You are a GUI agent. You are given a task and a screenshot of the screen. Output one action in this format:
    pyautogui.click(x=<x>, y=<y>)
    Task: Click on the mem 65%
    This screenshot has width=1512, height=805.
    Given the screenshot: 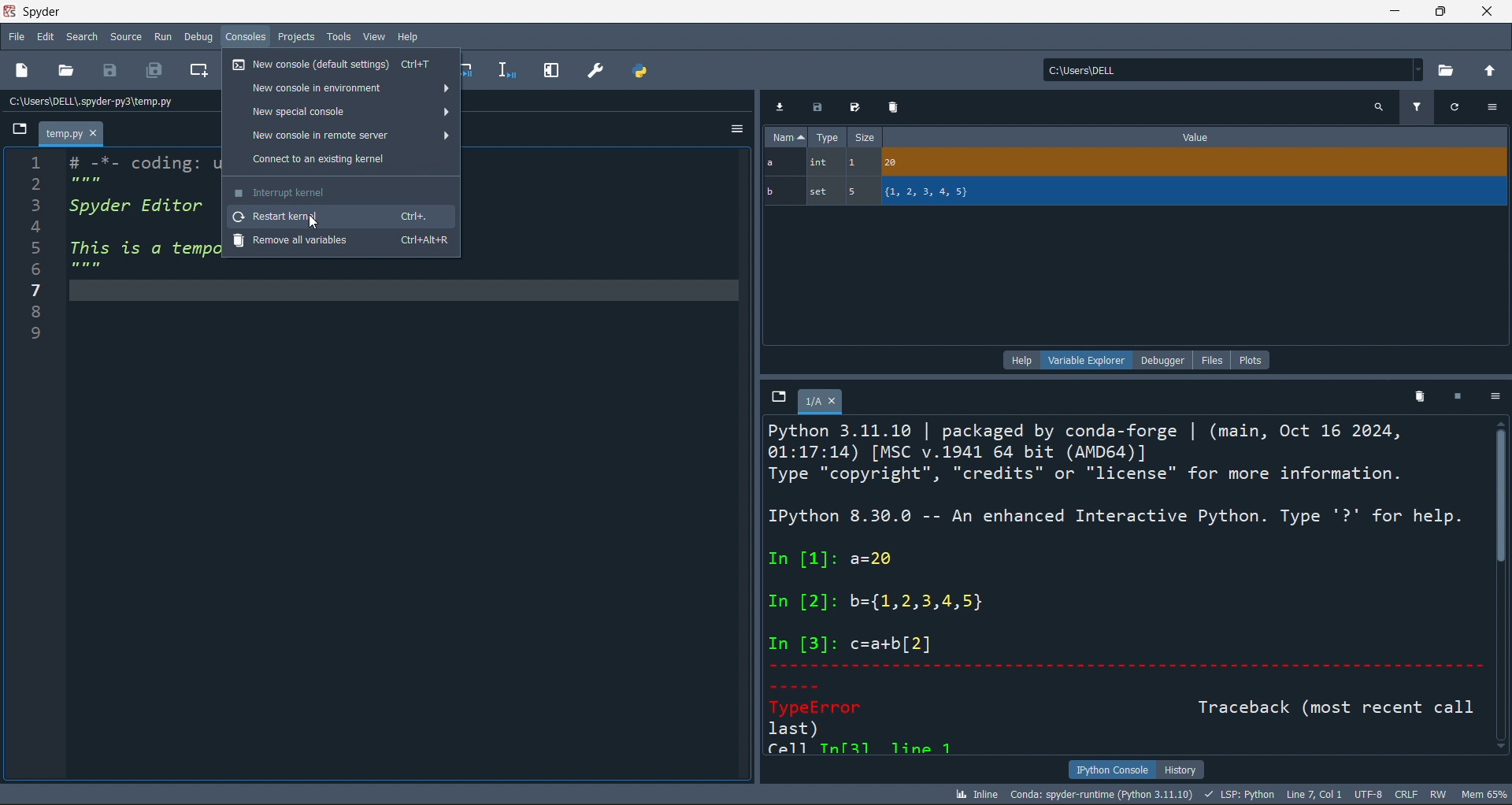 What is the action you would take?
    pyautogui.click(x=1485, y=793)
    